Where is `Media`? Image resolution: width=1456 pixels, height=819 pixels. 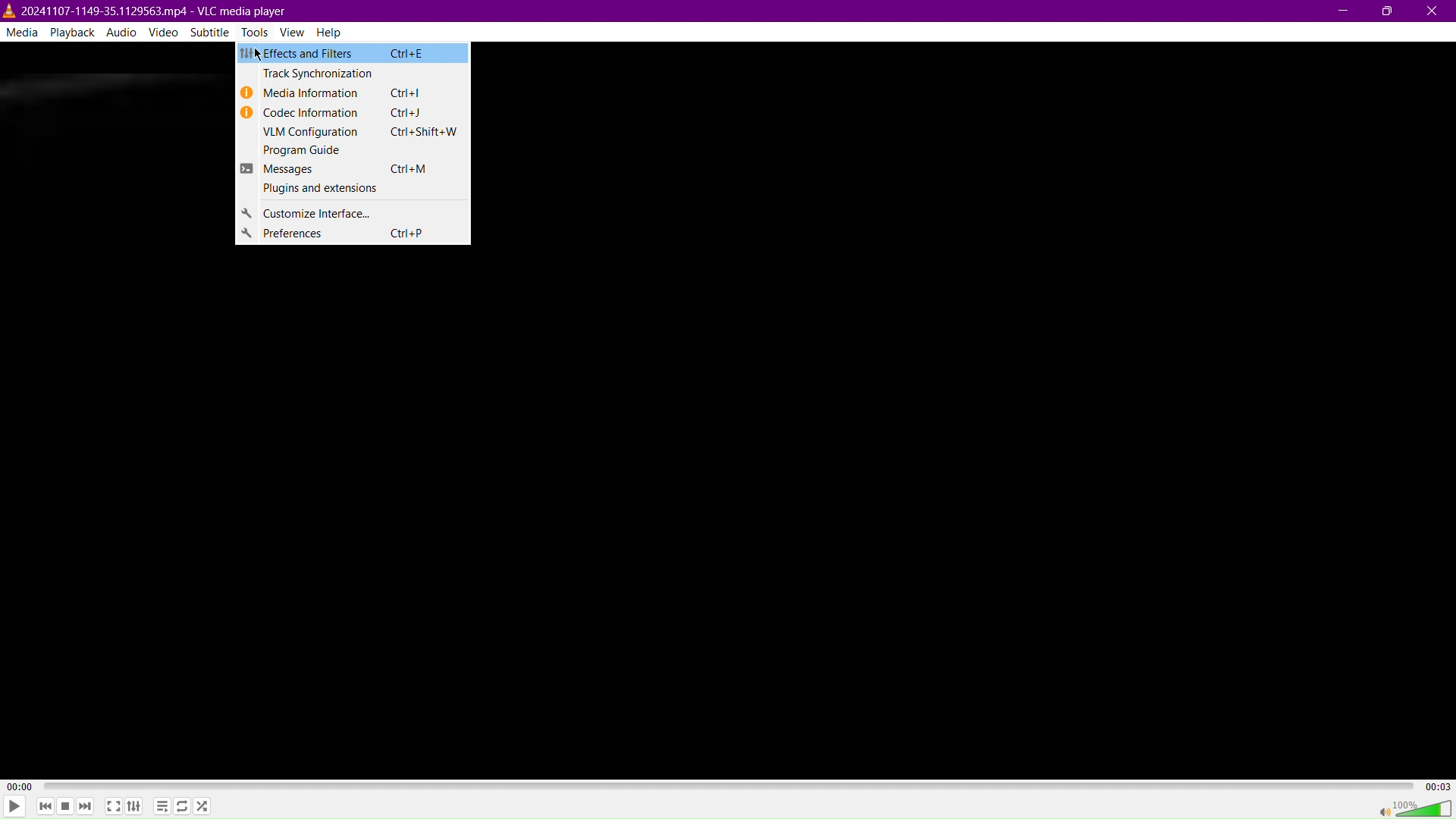
Media is located at coordinates (21, 31).